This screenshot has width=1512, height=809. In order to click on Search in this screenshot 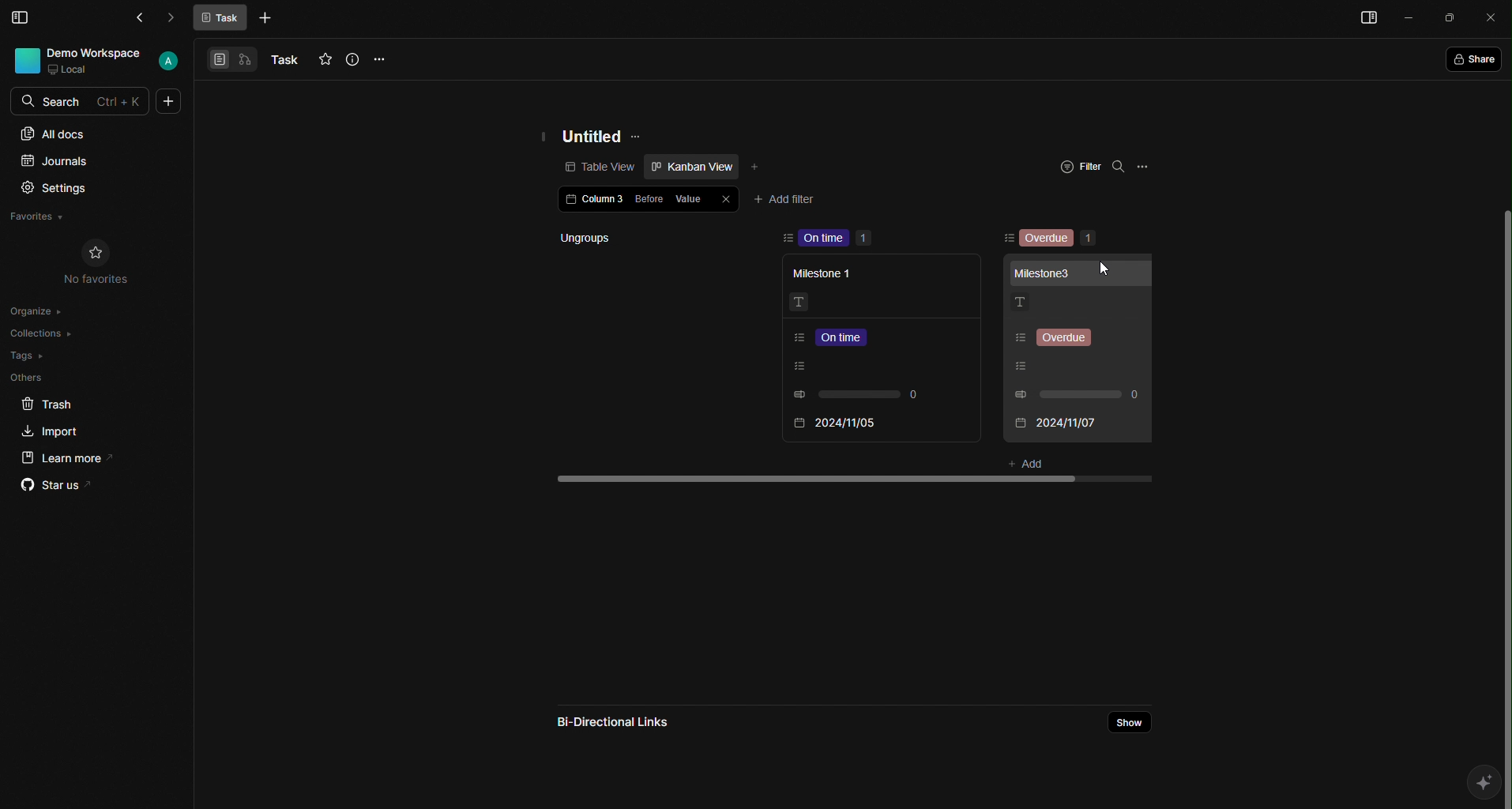, I will do `click(1119, 168)`.